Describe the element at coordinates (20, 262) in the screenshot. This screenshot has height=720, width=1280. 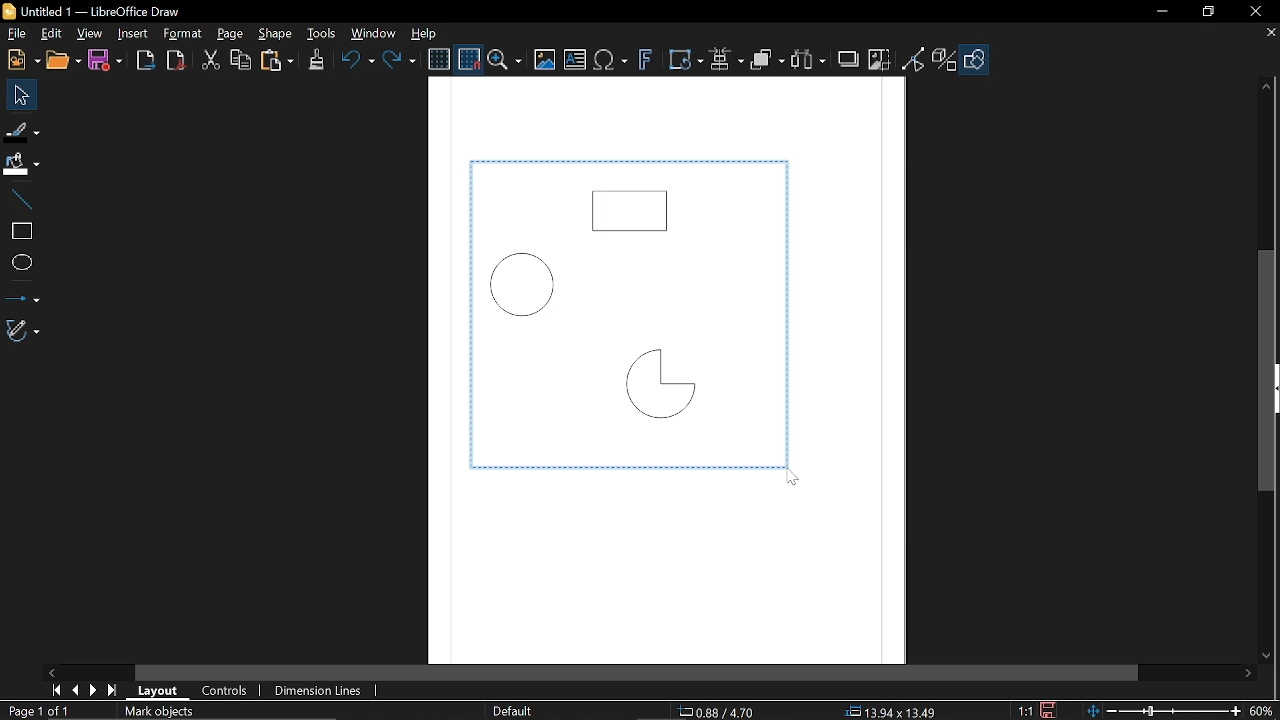
I see `Ellips` at that location.